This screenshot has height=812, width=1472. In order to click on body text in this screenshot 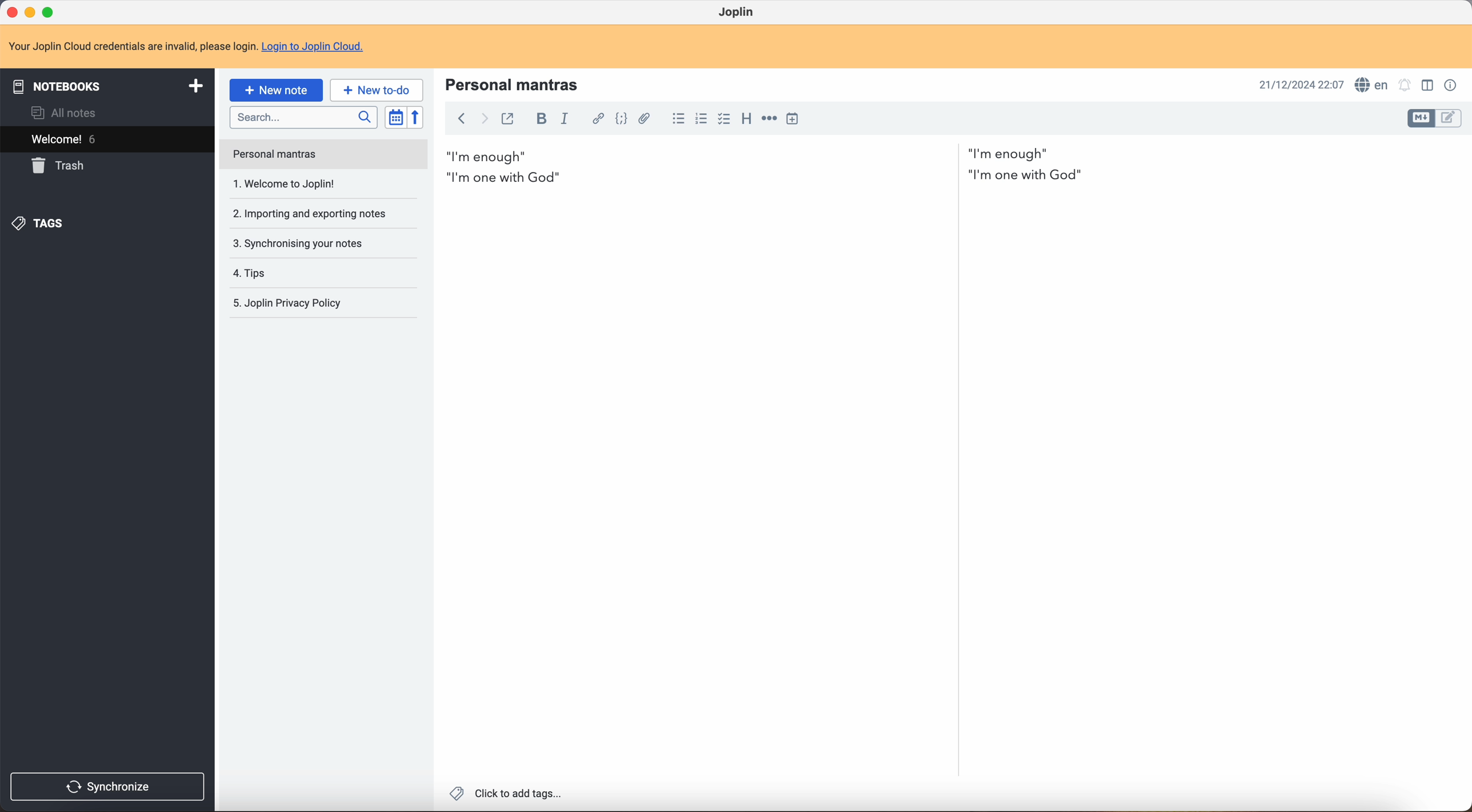, I will do `click(690, 486)`.